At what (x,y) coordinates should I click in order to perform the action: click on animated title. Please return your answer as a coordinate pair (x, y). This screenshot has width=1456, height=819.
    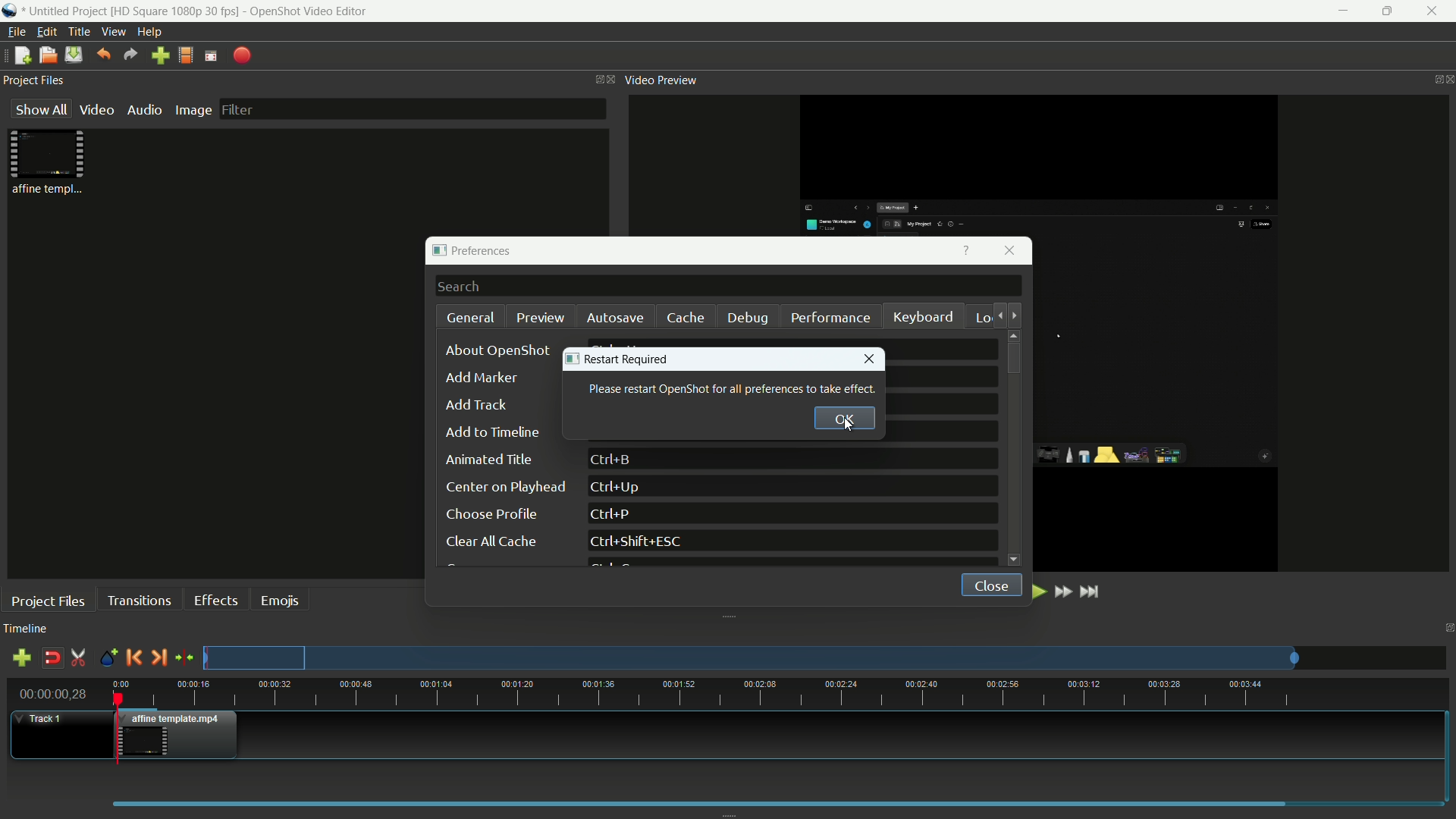
    Looking at the image, I should click on (491, 460).